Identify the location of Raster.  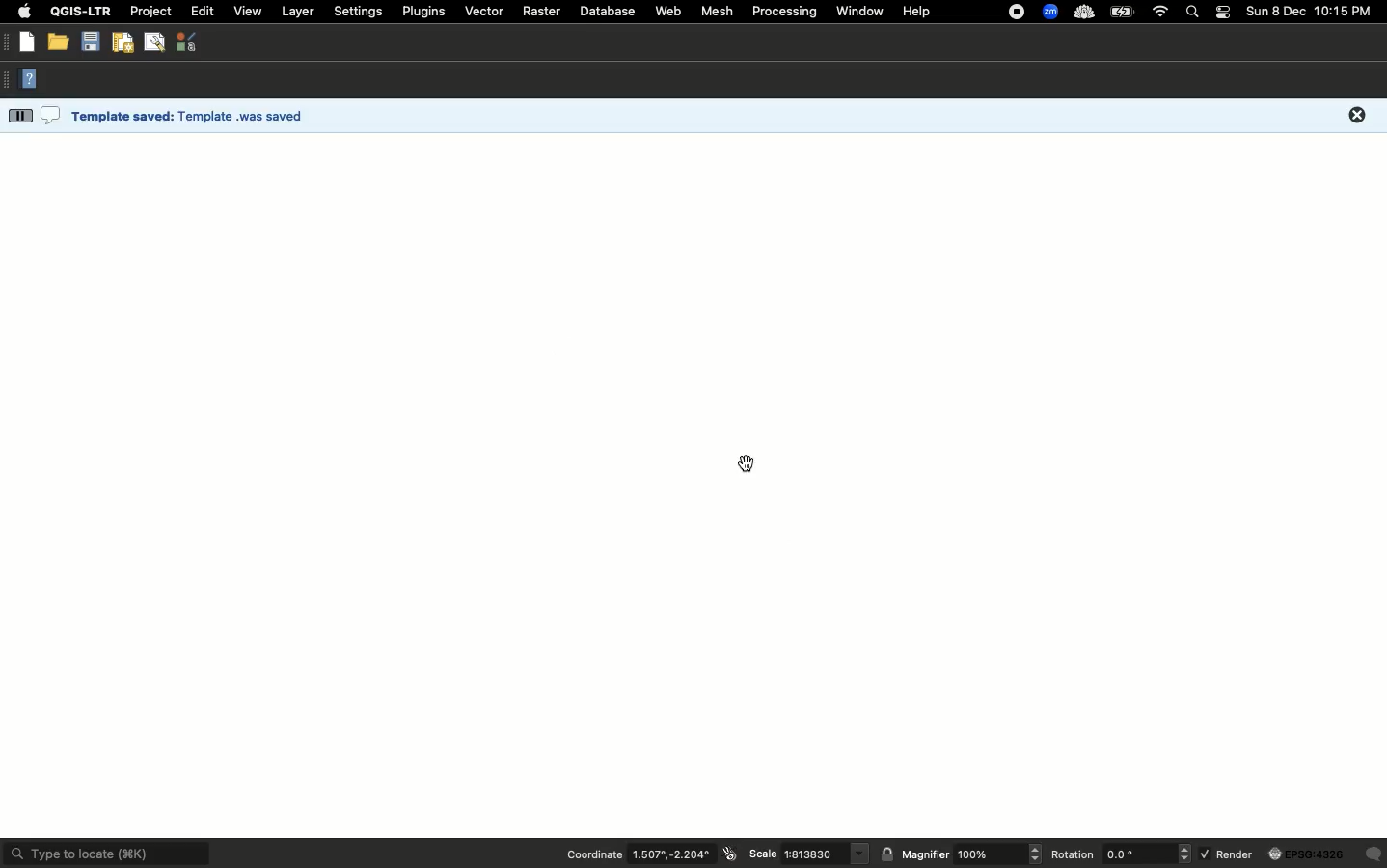
(542, 10).